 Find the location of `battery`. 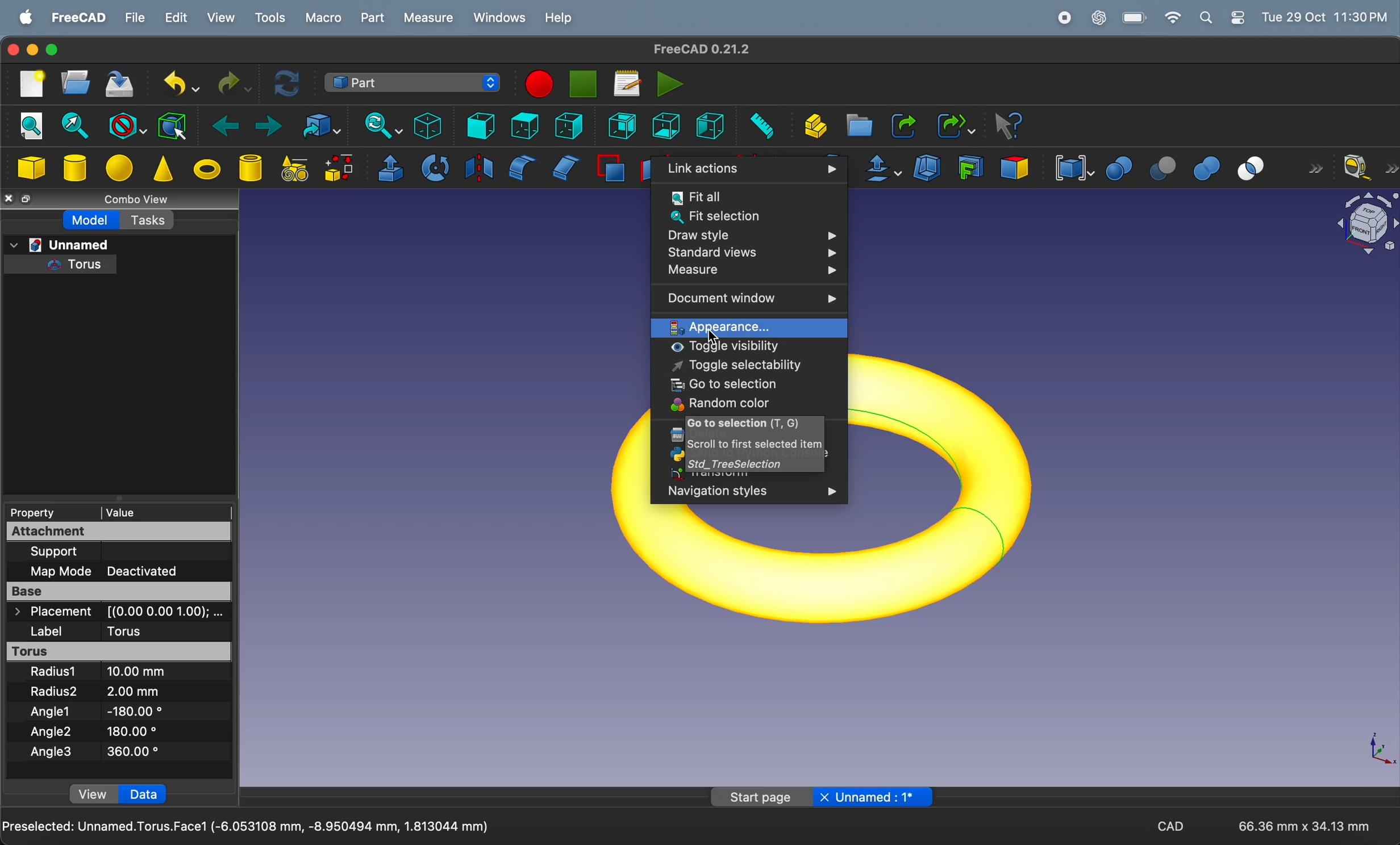

battery is located at coordinates (1134, 18).